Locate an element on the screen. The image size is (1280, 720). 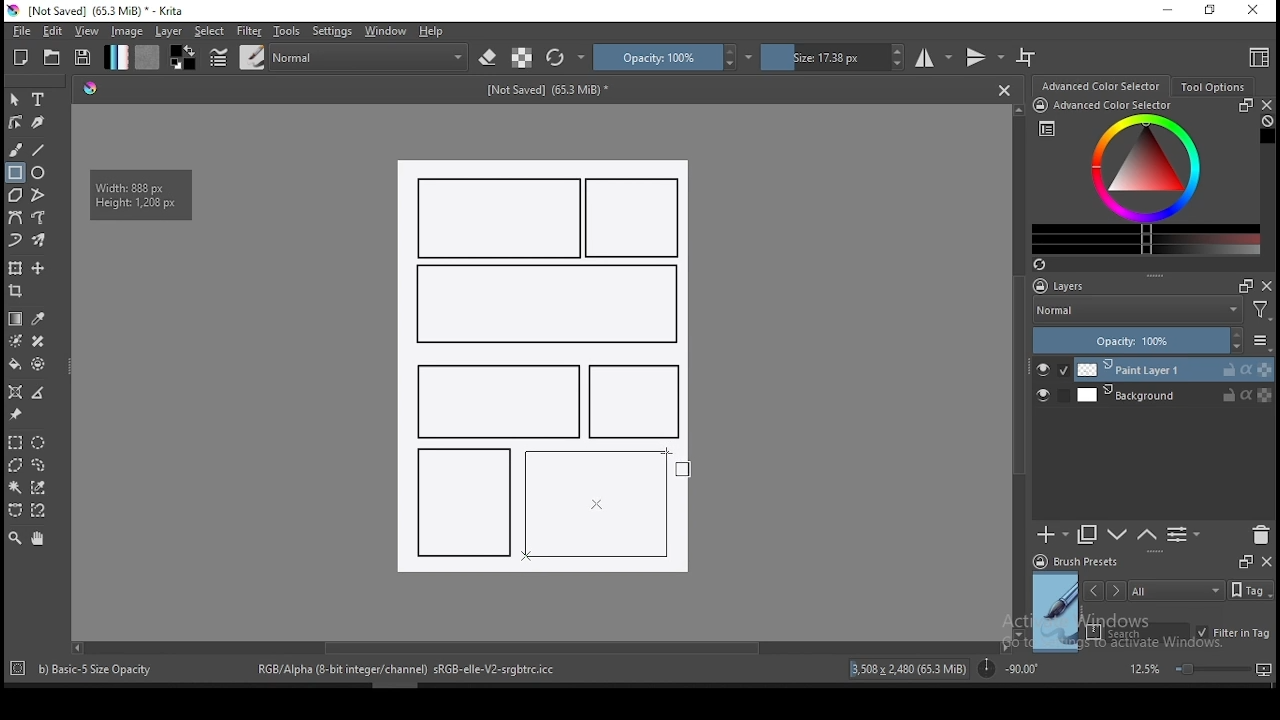
Clear is located at coordinates (1267, 123).